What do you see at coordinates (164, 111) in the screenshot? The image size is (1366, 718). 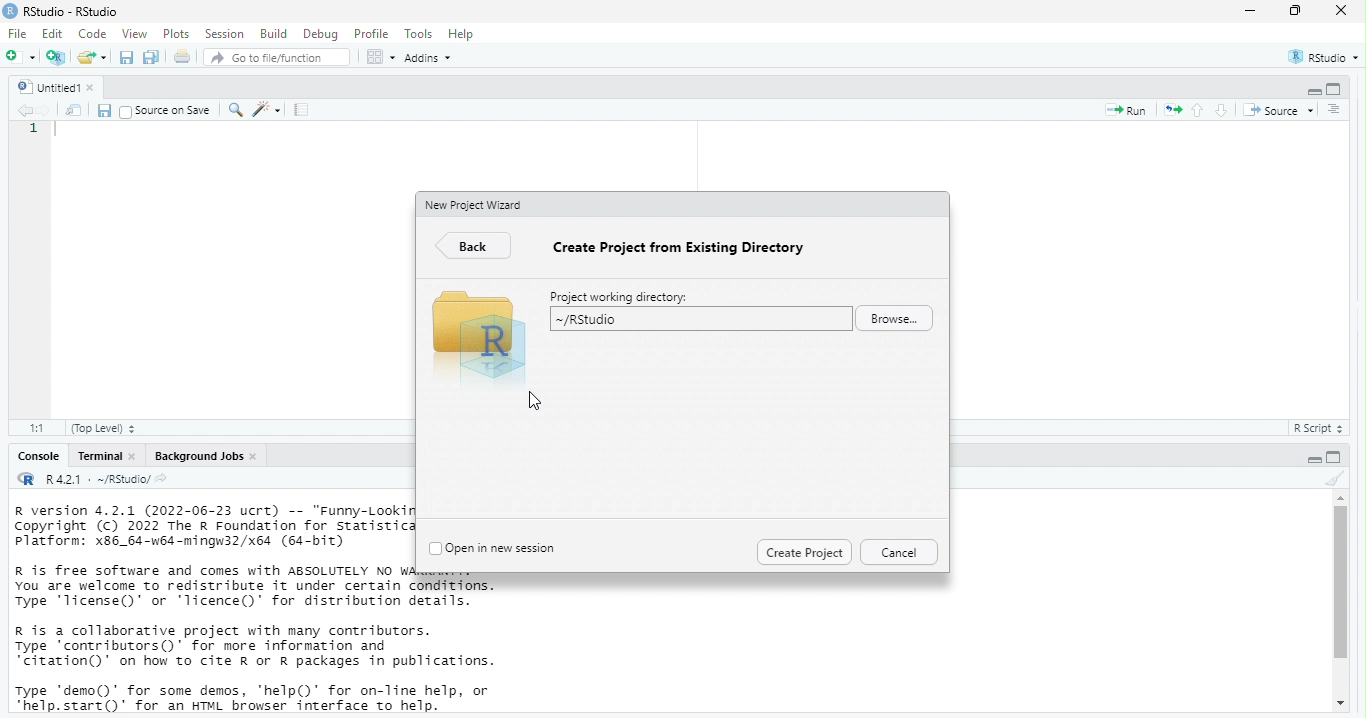 I see `source on save` at bounding box center [164, 111].